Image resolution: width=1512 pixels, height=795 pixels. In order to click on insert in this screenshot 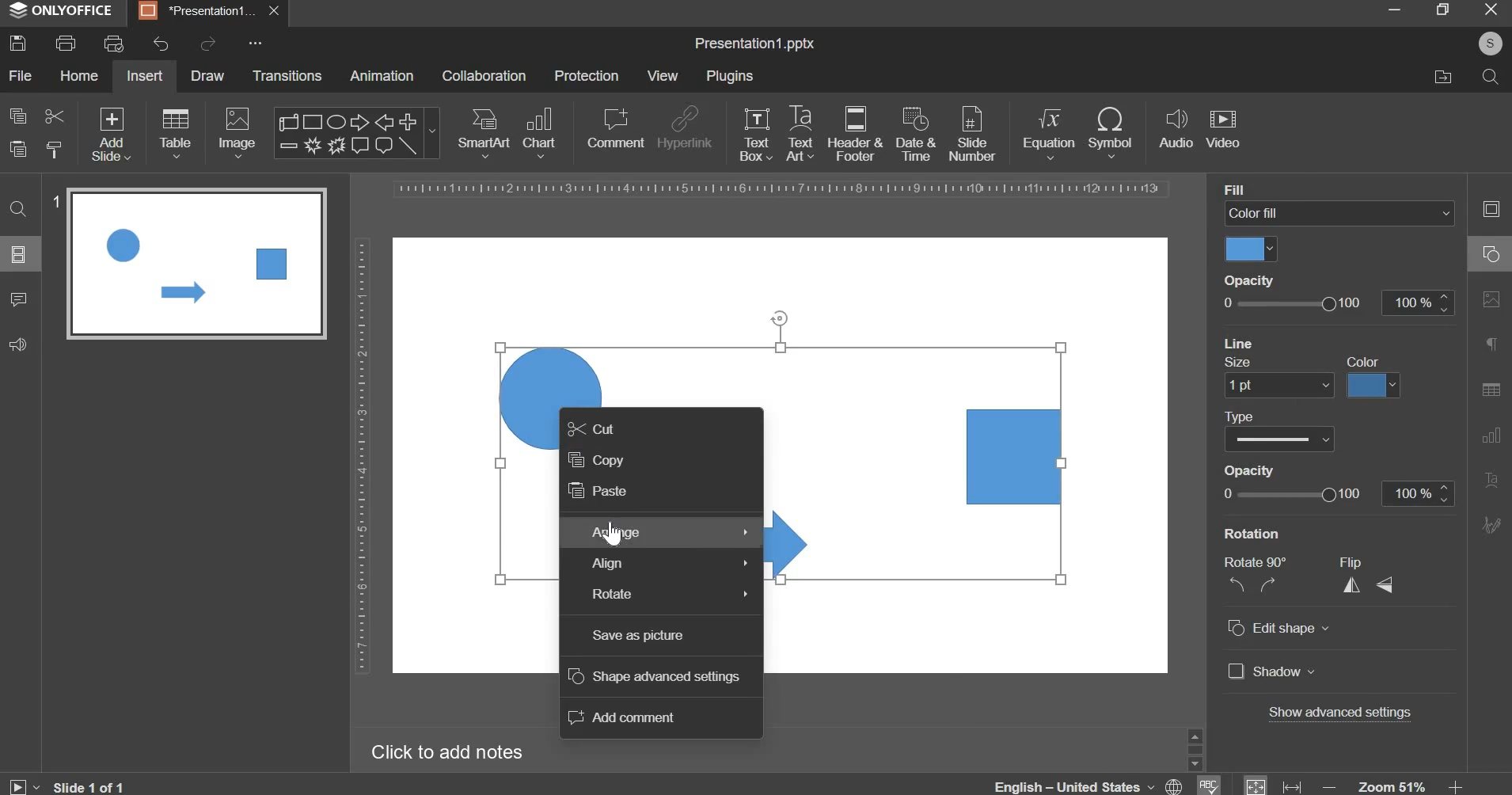, I will do `click(145, 75)`.